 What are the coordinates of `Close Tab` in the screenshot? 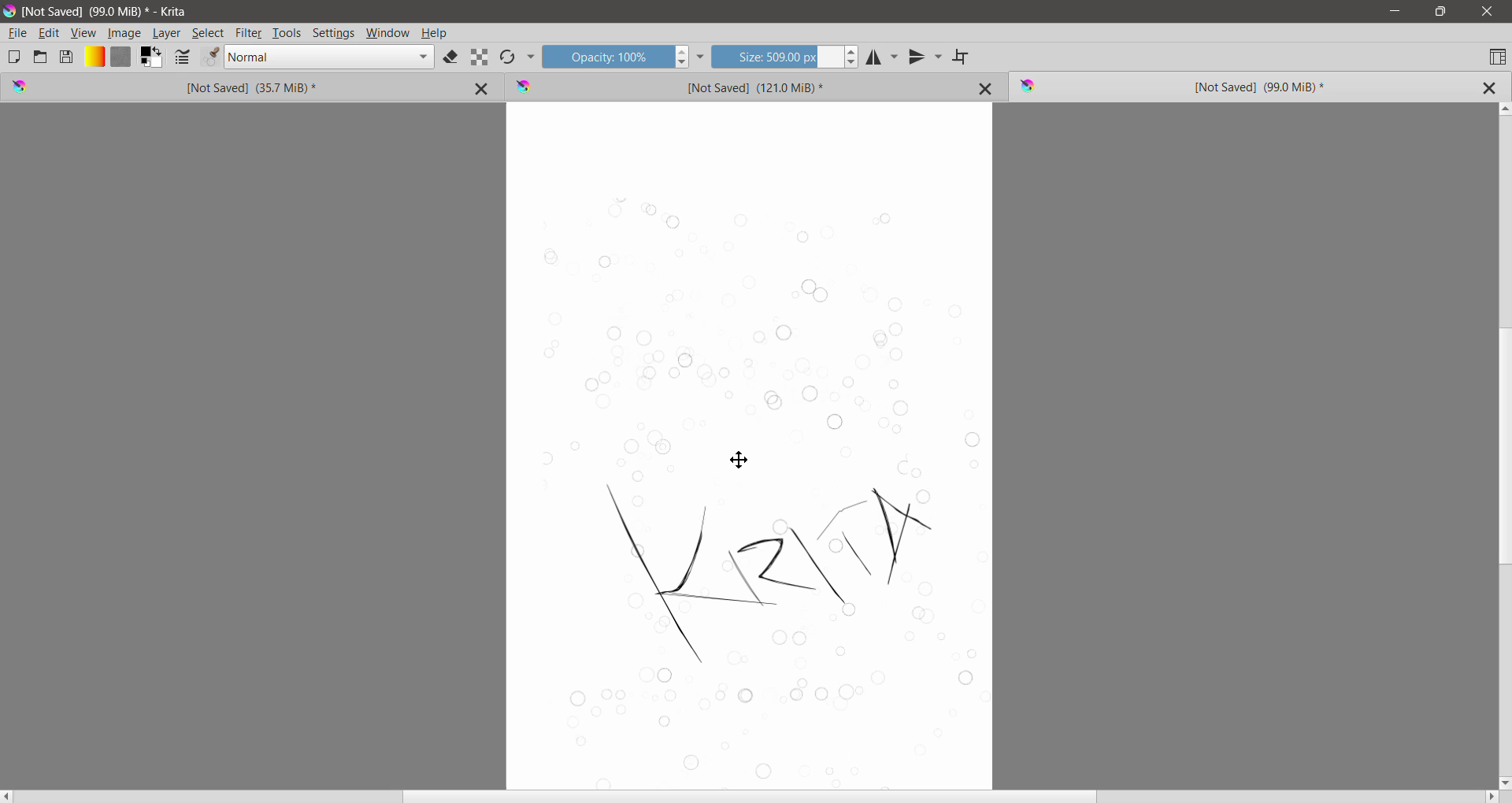 It's located at (986, 88).